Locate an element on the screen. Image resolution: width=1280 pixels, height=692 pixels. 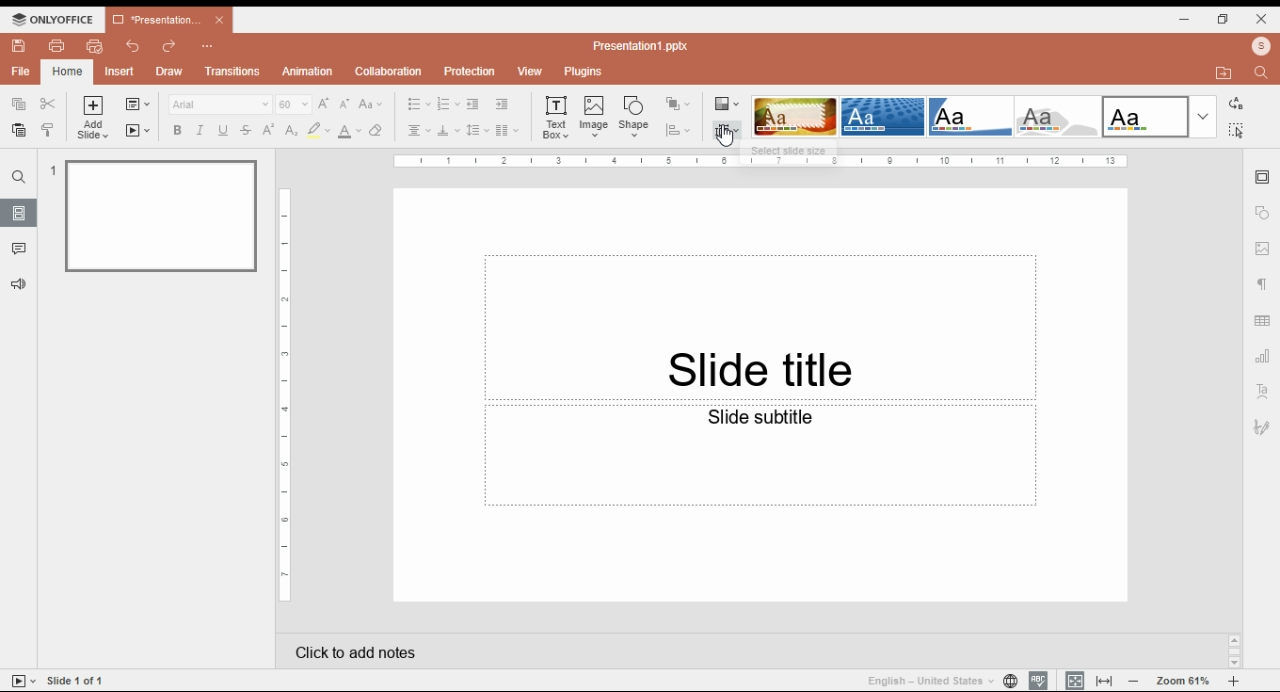
align shape is located at coordinates (680, 130).